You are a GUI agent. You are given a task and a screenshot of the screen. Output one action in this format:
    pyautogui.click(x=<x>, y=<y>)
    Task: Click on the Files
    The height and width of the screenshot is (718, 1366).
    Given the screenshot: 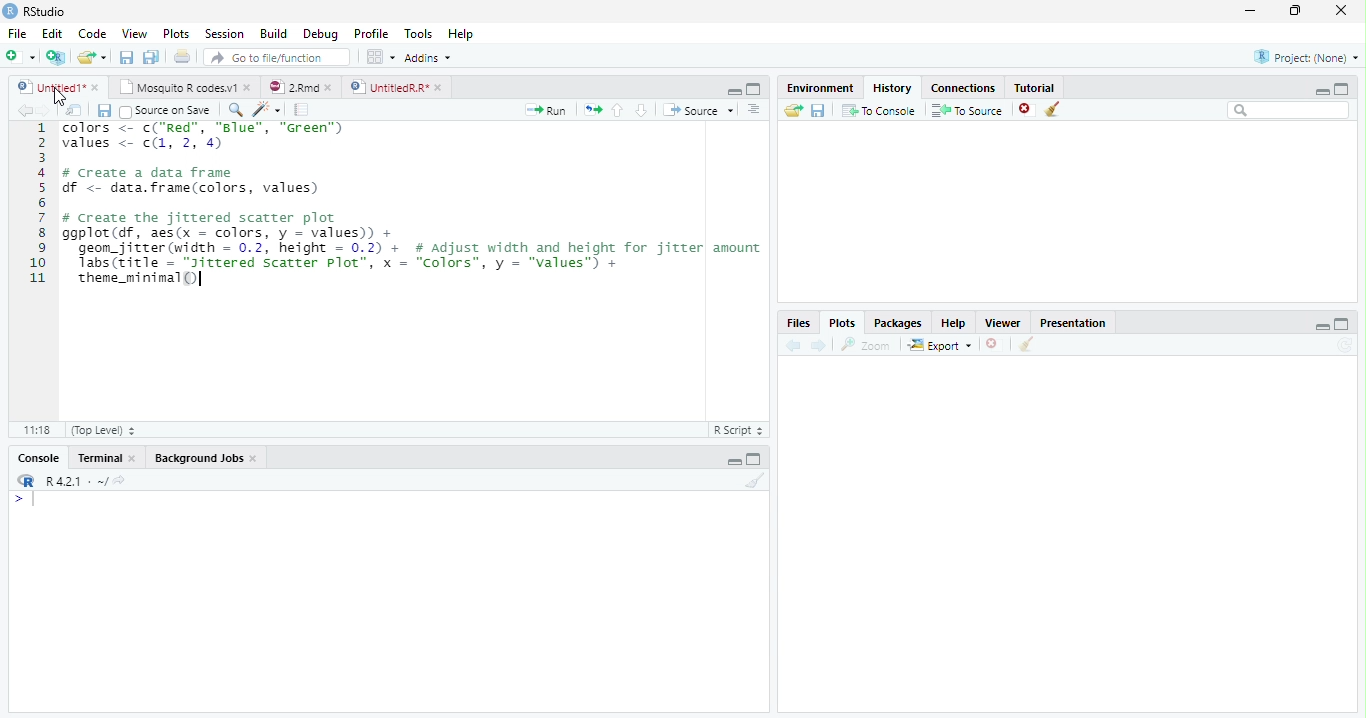 What is the action you would take?
    pyautogui.click(x=799, y=323)
    